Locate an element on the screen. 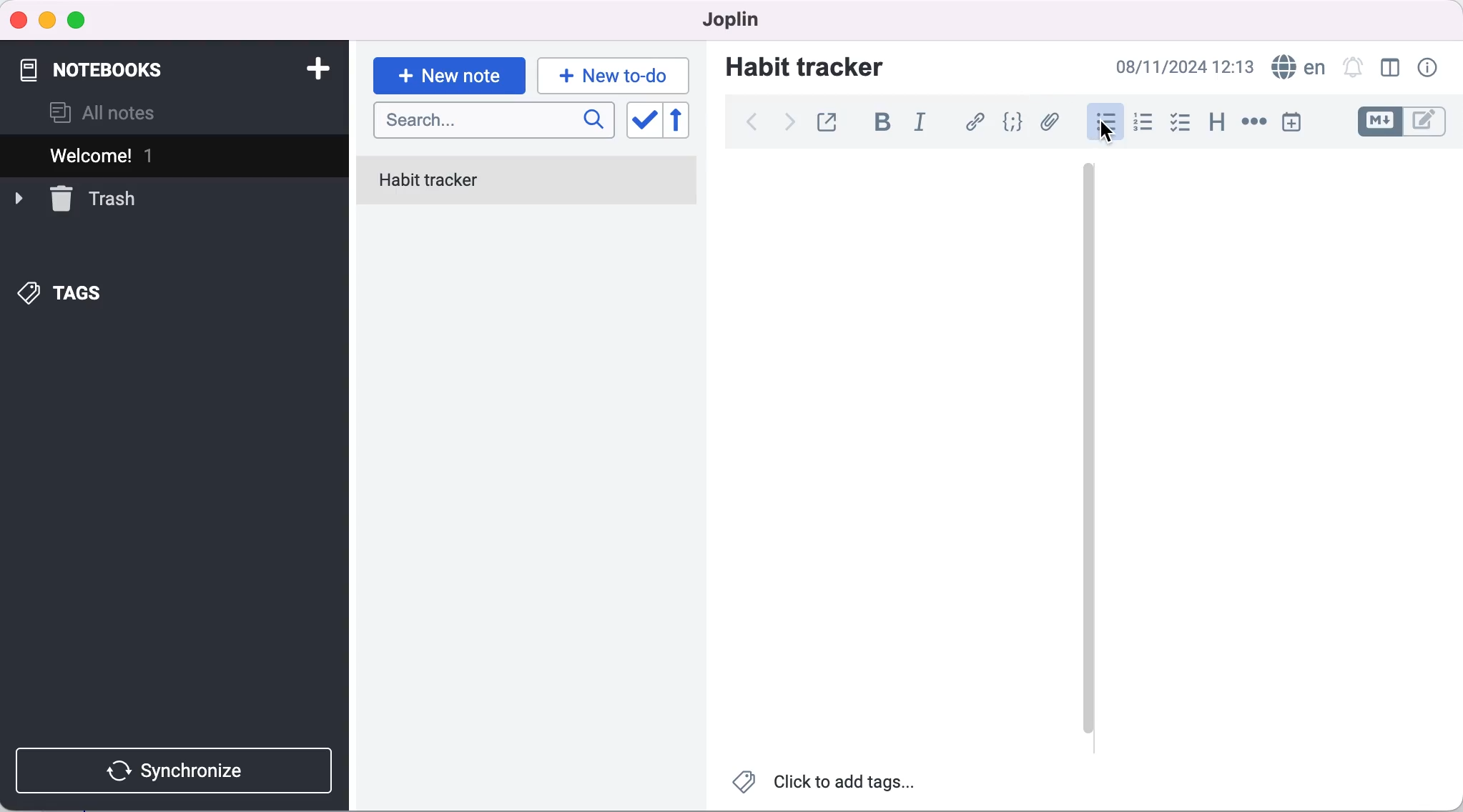 The height and width of the screenshot is (812, 1463). new note is located at coordinates (448, 76).